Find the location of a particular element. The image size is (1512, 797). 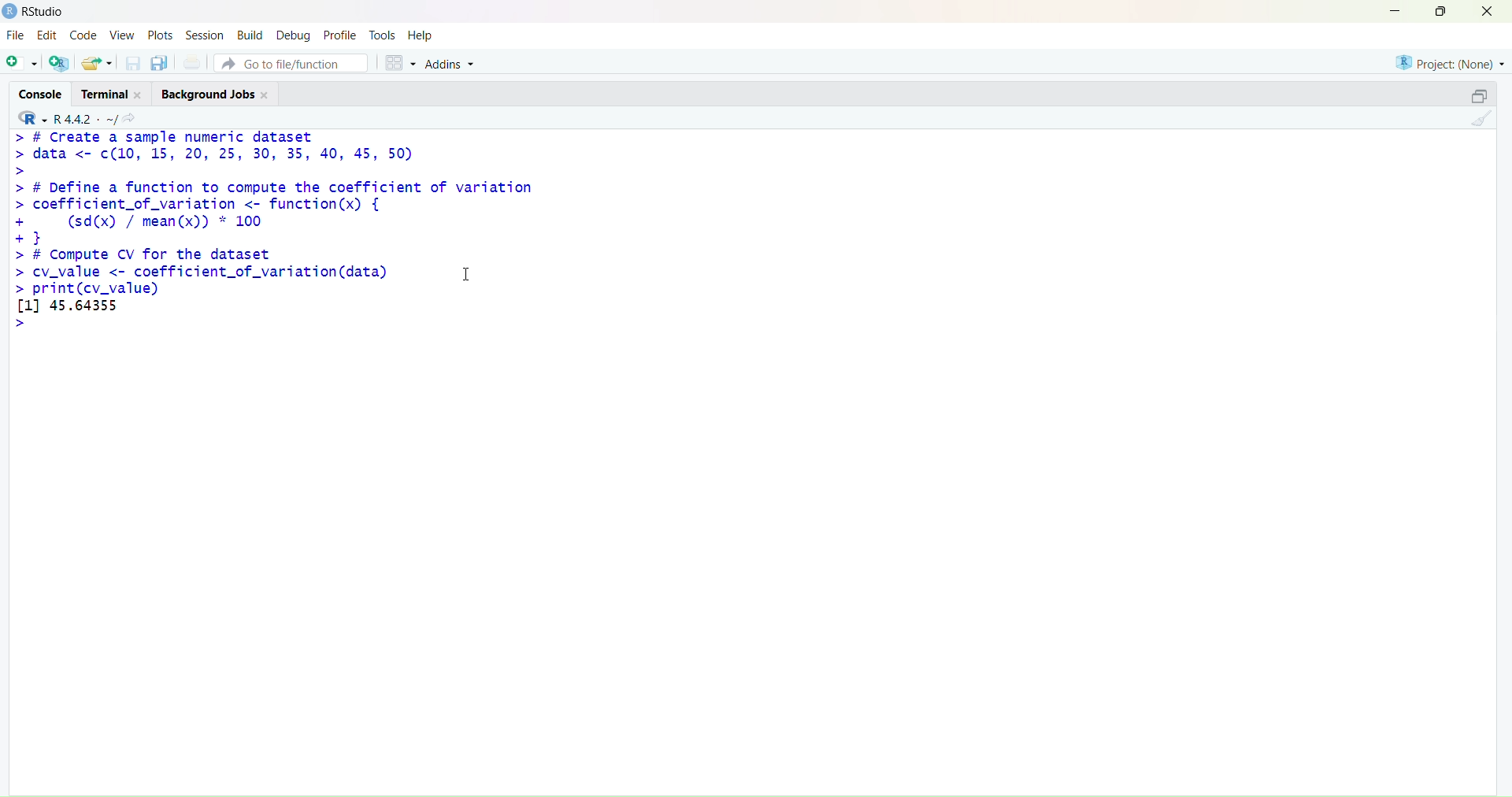

share icon is located at coordinates (130, 118).